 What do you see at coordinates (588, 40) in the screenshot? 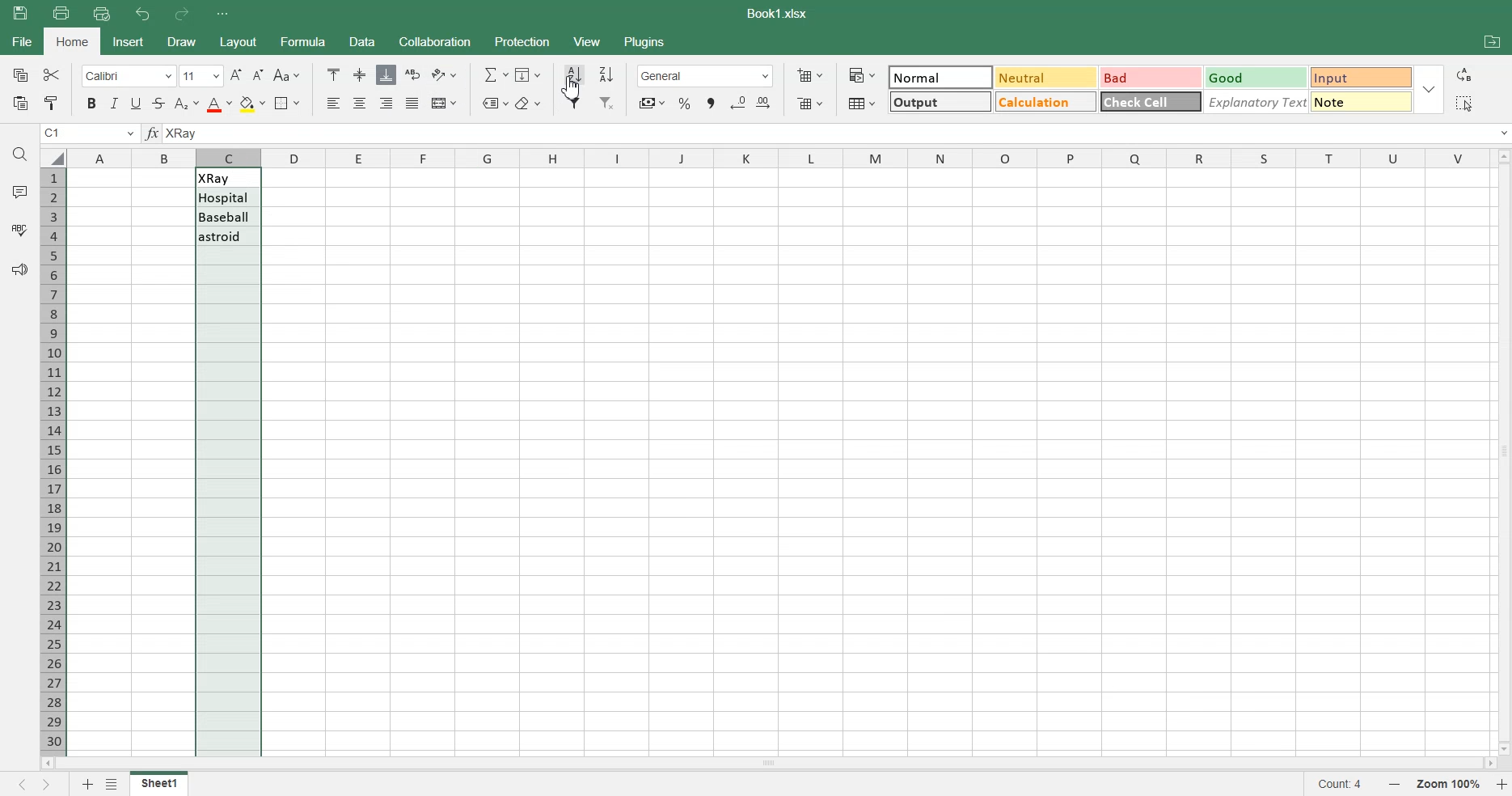
I see `View` at bounding box center [588, 40].